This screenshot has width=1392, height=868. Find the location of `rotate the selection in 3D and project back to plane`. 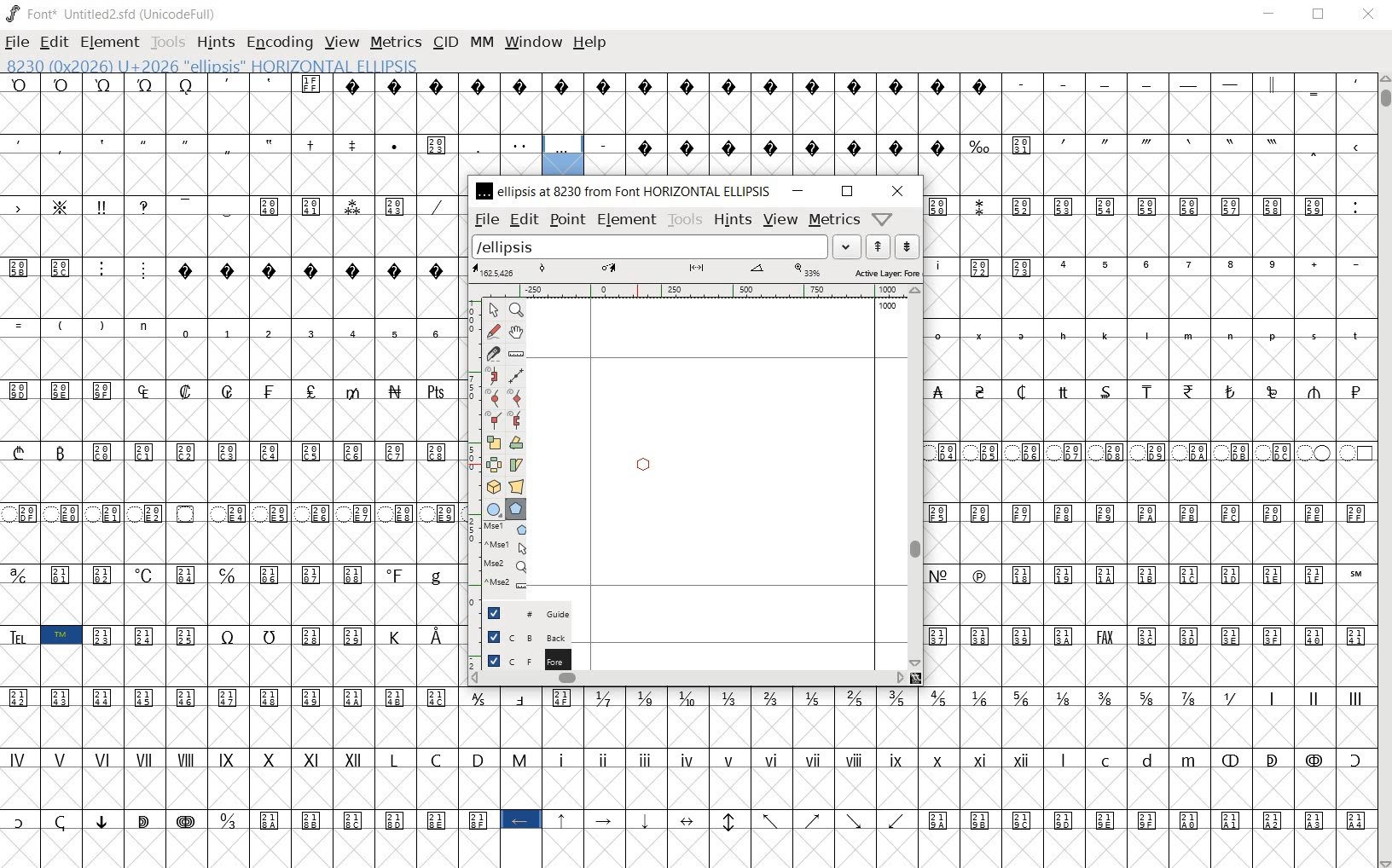

rotate the selection in 3D and project back to plane is located at coordinates (492, 486).